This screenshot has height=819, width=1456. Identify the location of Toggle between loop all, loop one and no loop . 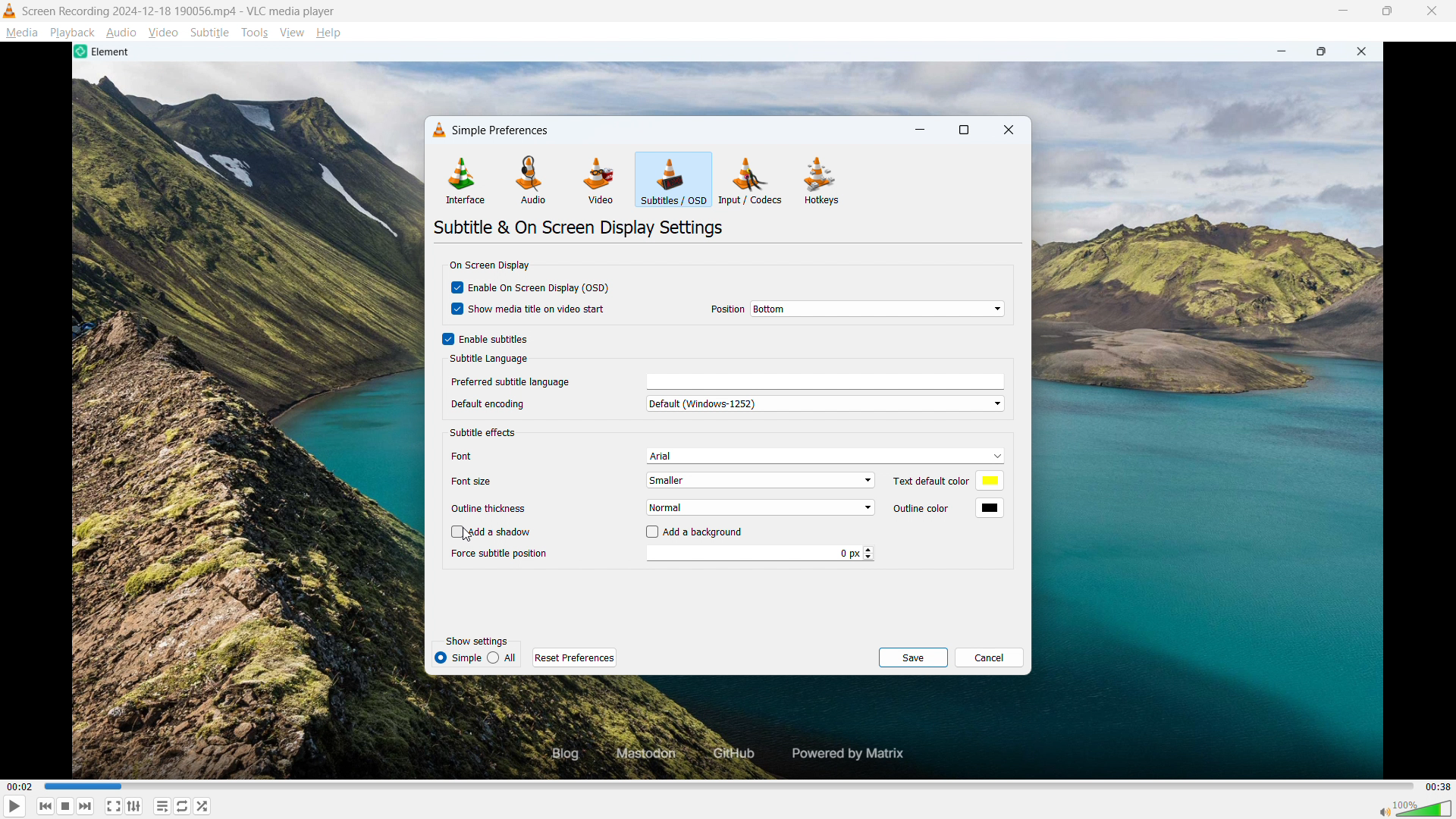
(184, 806).